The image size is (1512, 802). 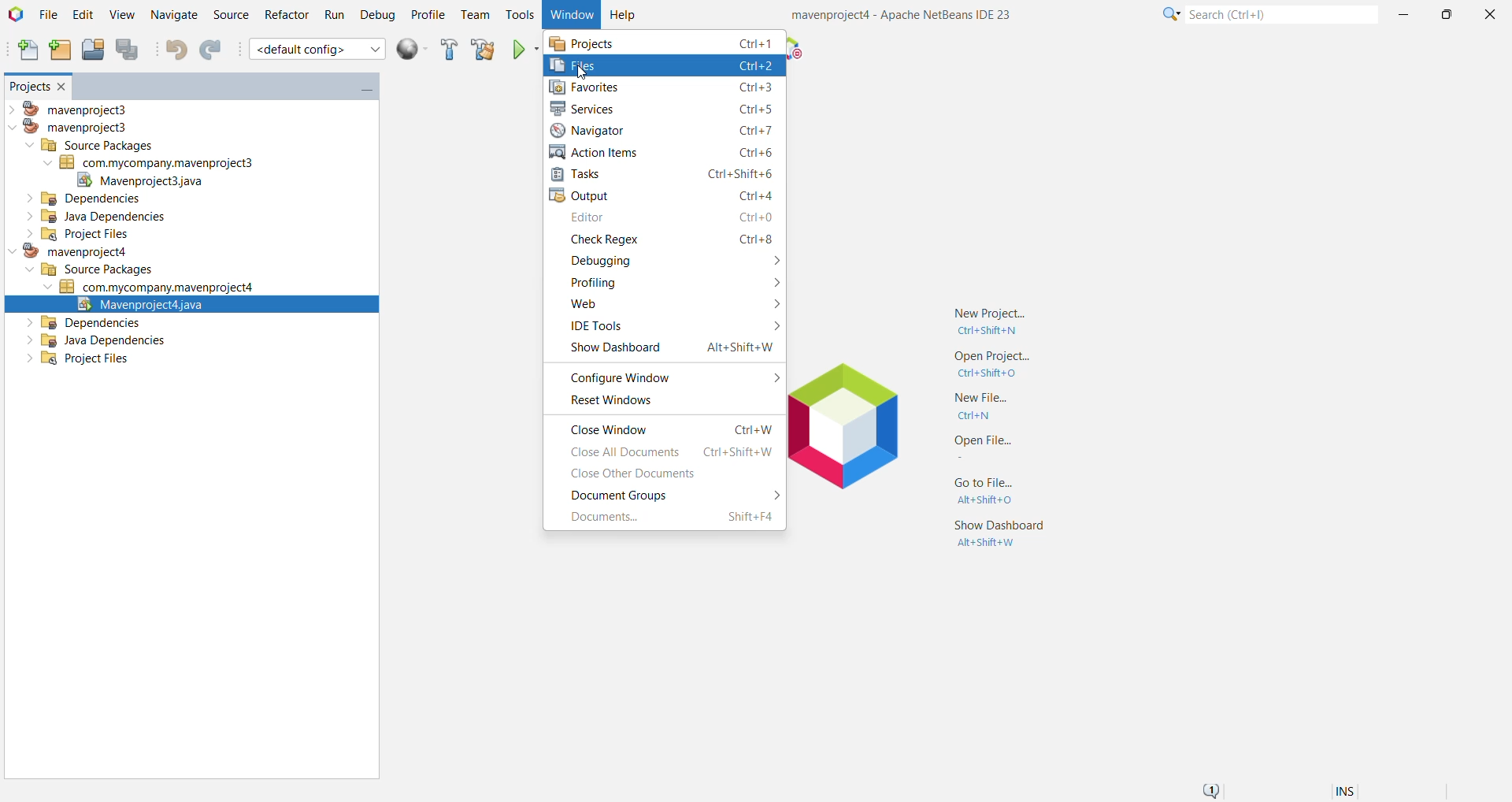 What do you see at coordinates (664, 42) in the screenshot?
I see `Projects` at bounding box center [664, 42].